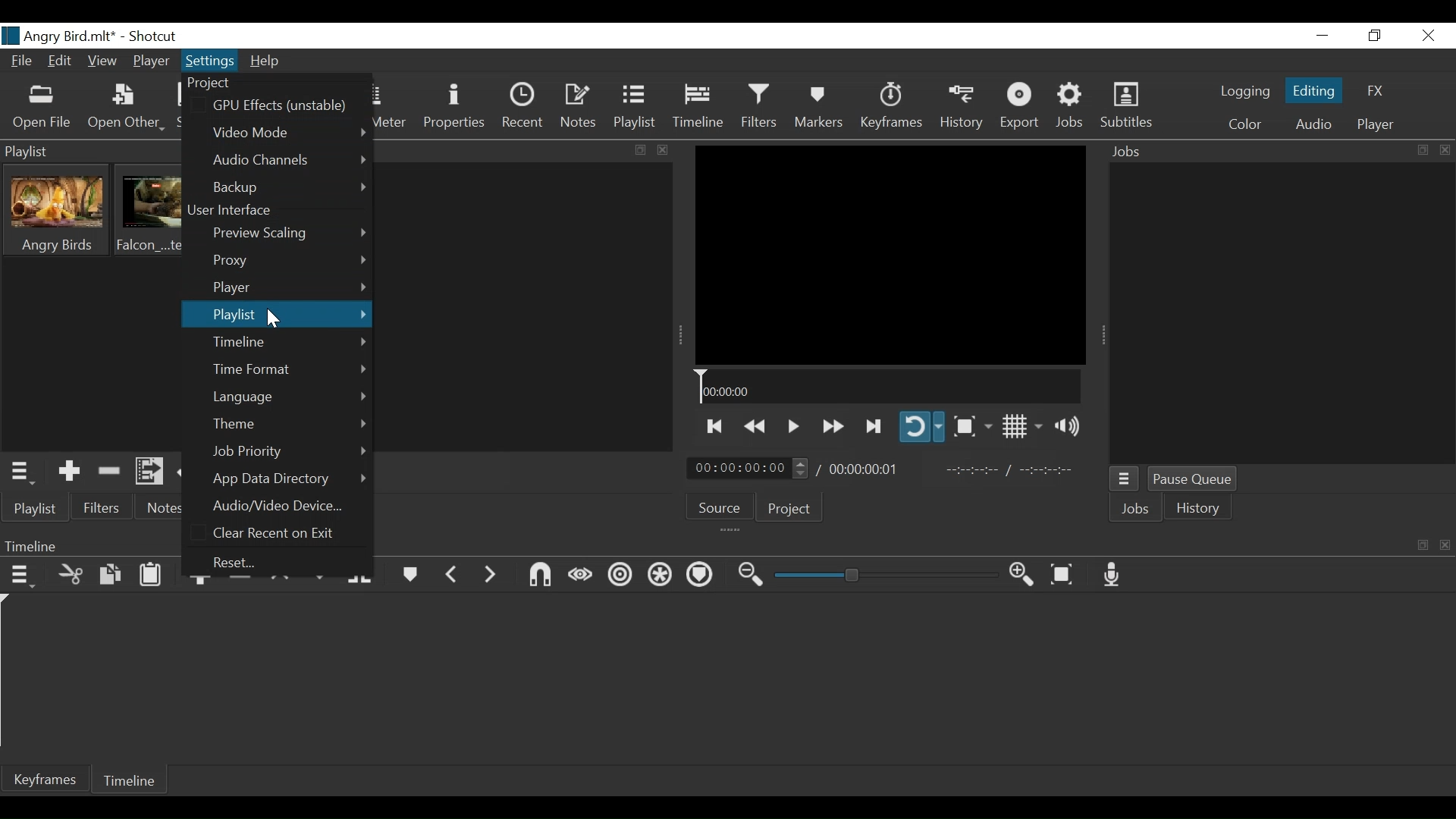 This screenshot has height=819, width=1456. What do you see at coordinates (890, 386) in the screenshot?
I see `Timeline` at bounding box center [890, 386].